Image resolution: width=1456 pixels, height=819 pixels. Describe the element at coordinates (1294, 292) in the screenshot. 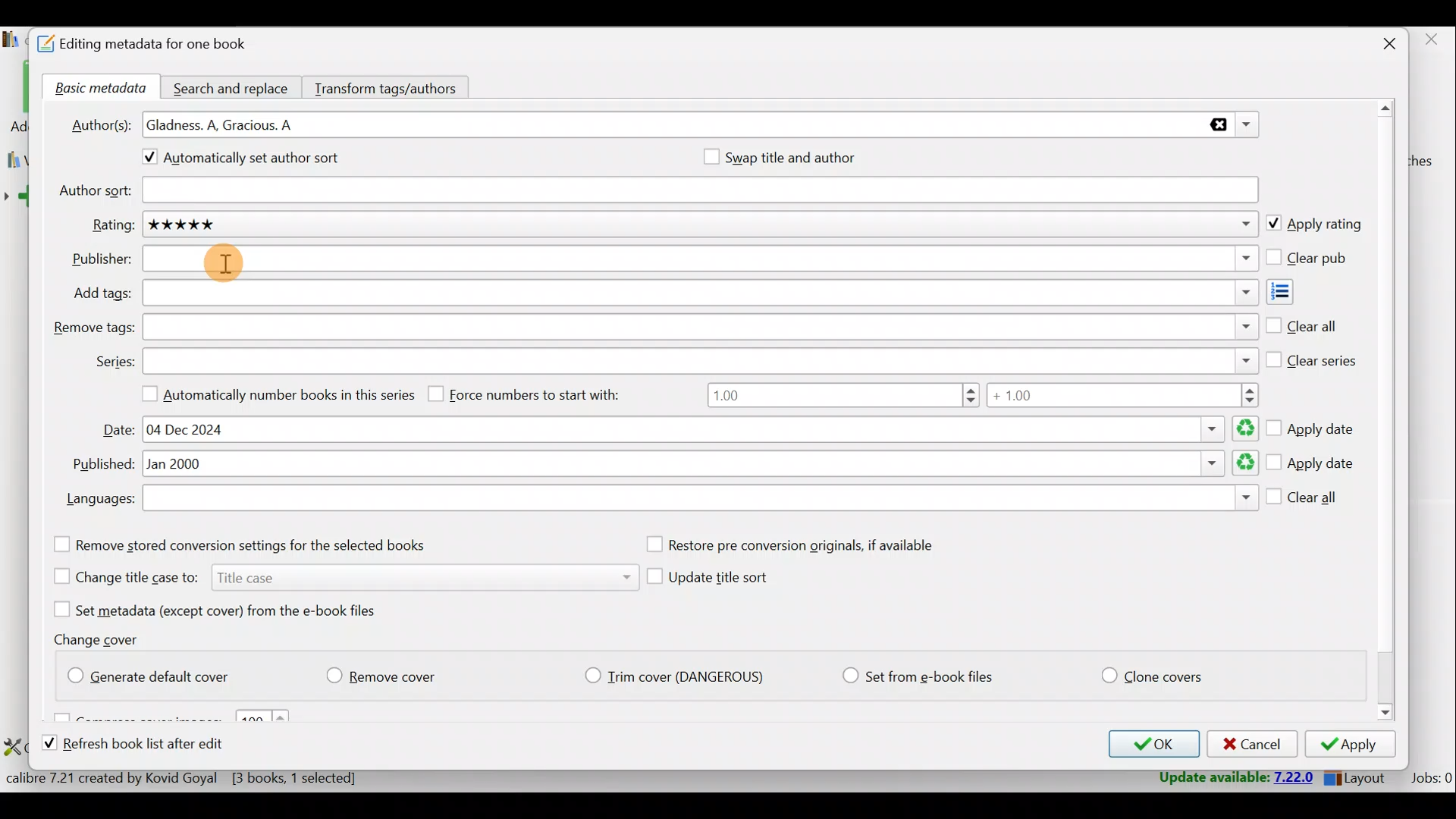

I see `Add tags` at that location.